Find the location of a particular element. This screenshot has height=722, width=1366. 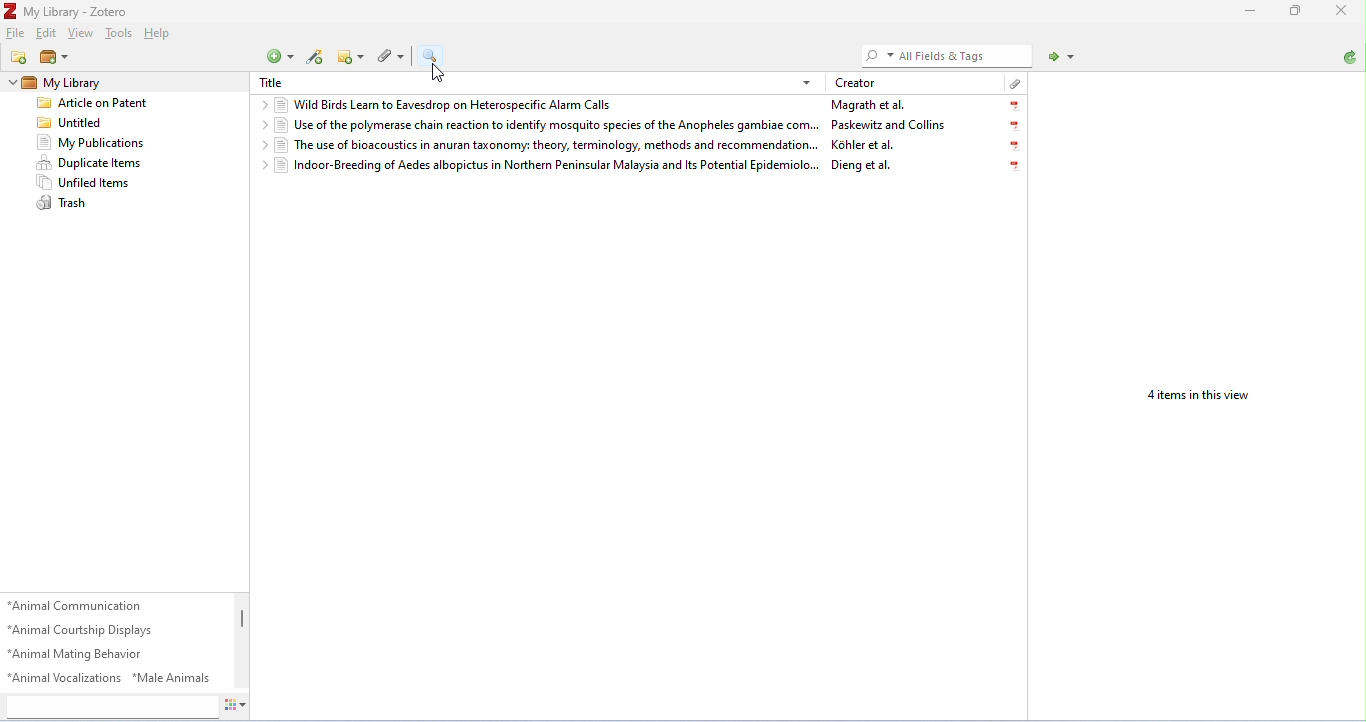

Article on patent is located at coordinates (96, 104).